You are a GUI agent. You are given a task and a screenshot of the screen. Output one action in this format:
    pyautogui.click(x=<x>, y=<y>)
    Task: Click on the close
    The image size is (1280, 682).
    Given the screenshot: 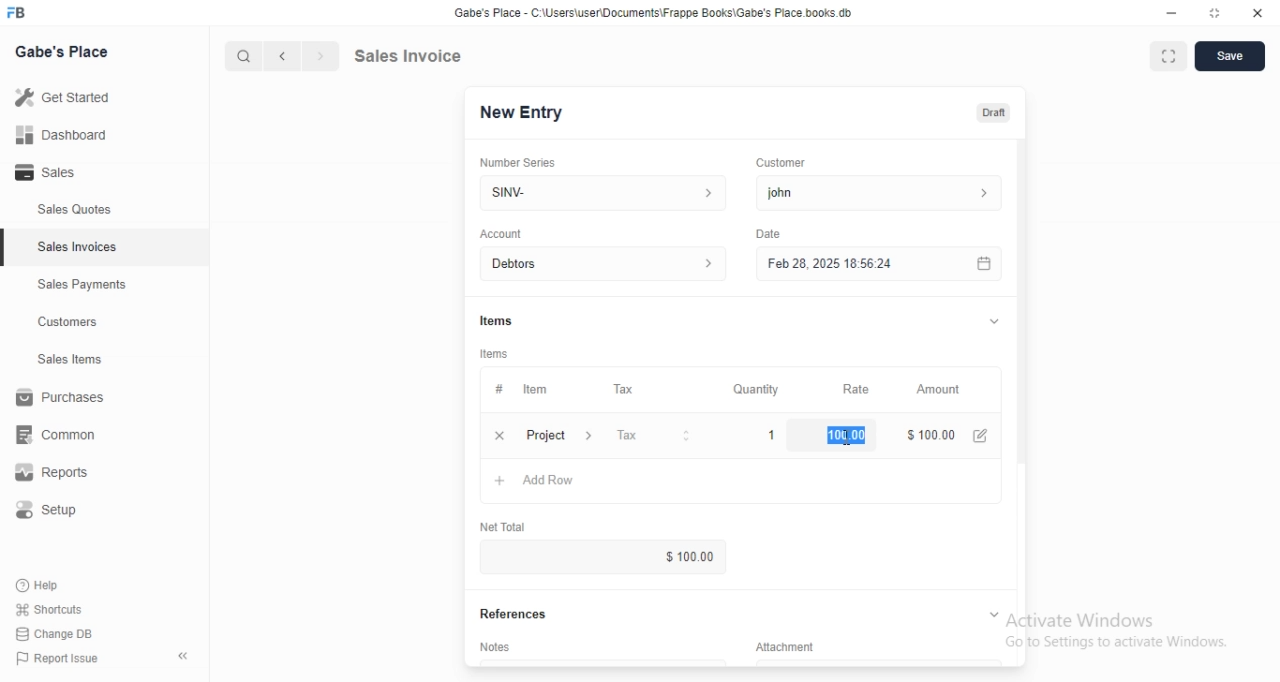 What is the action you would take?
    pyautogui.click(x=1257, y=14)
    